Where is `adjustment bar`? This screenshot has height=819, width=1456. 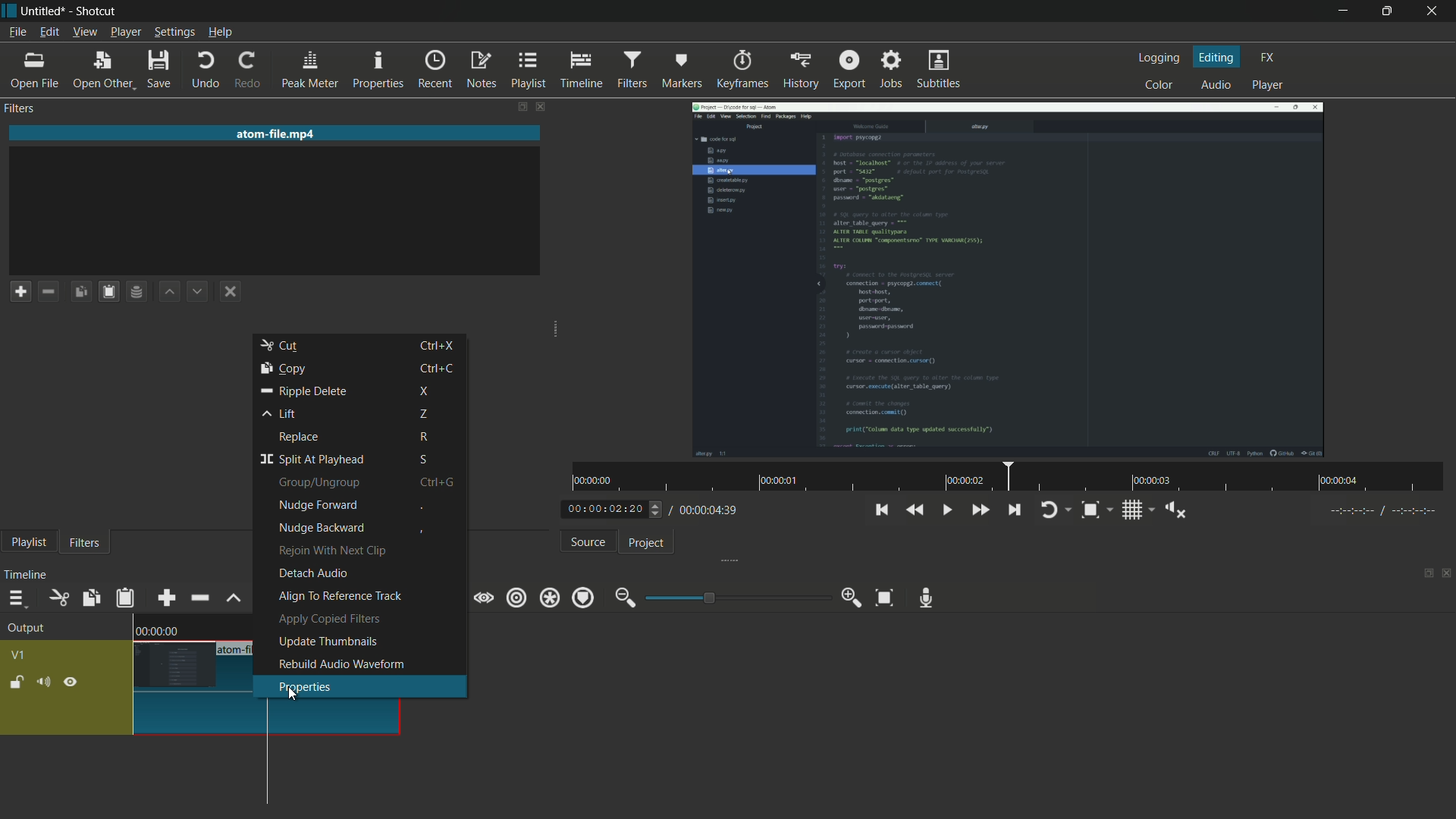 adjustment bar is located at coordinates (736, 596).